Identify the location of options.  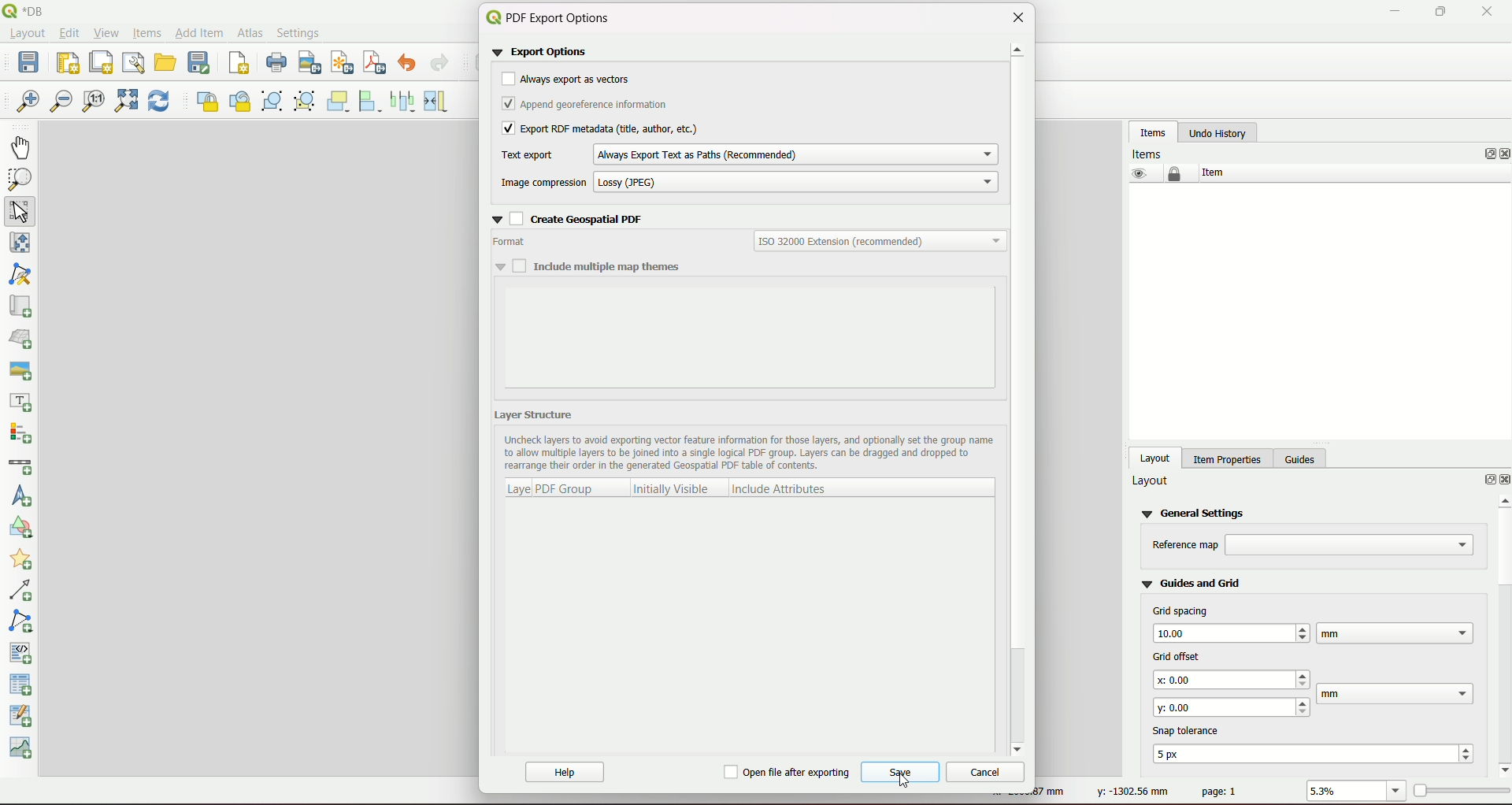
(1482, 481).